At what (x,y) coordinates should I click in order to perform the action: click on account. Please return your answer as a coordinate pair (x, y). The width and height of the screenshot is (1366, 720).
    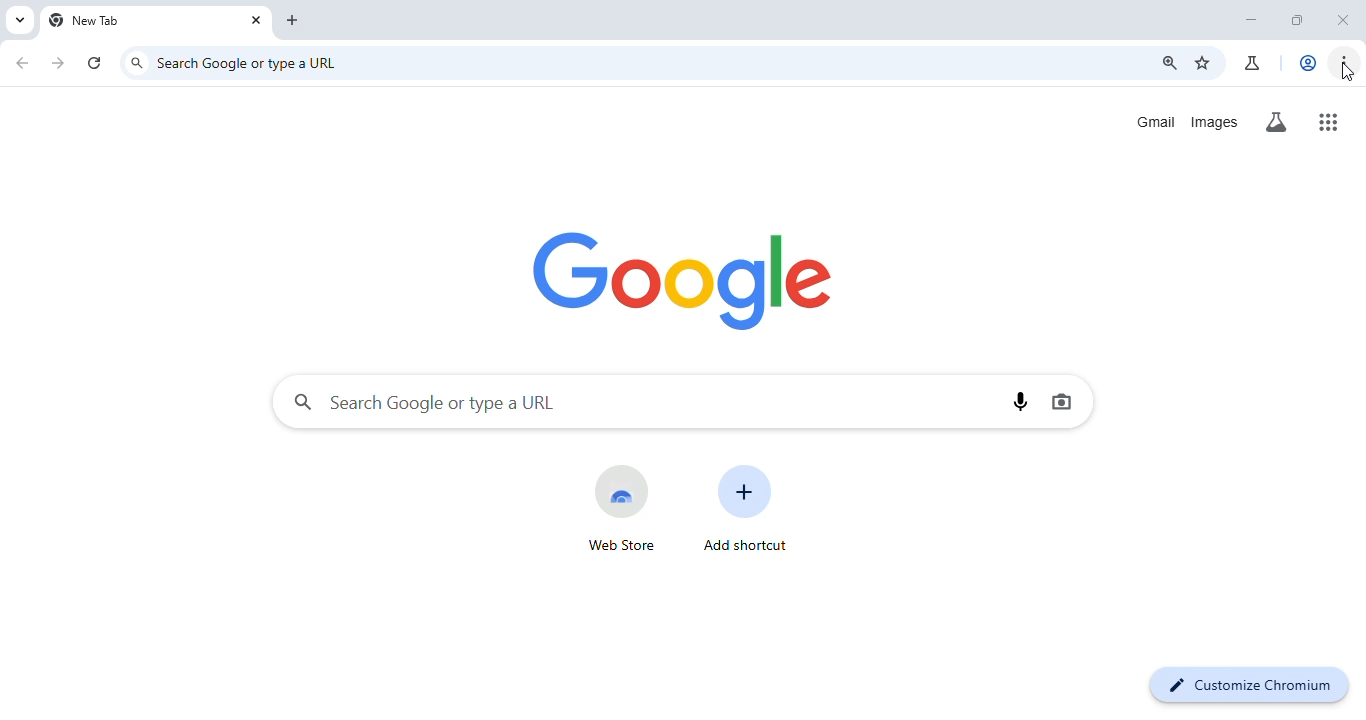
    Looking at the image, I should click on (1310, 62).